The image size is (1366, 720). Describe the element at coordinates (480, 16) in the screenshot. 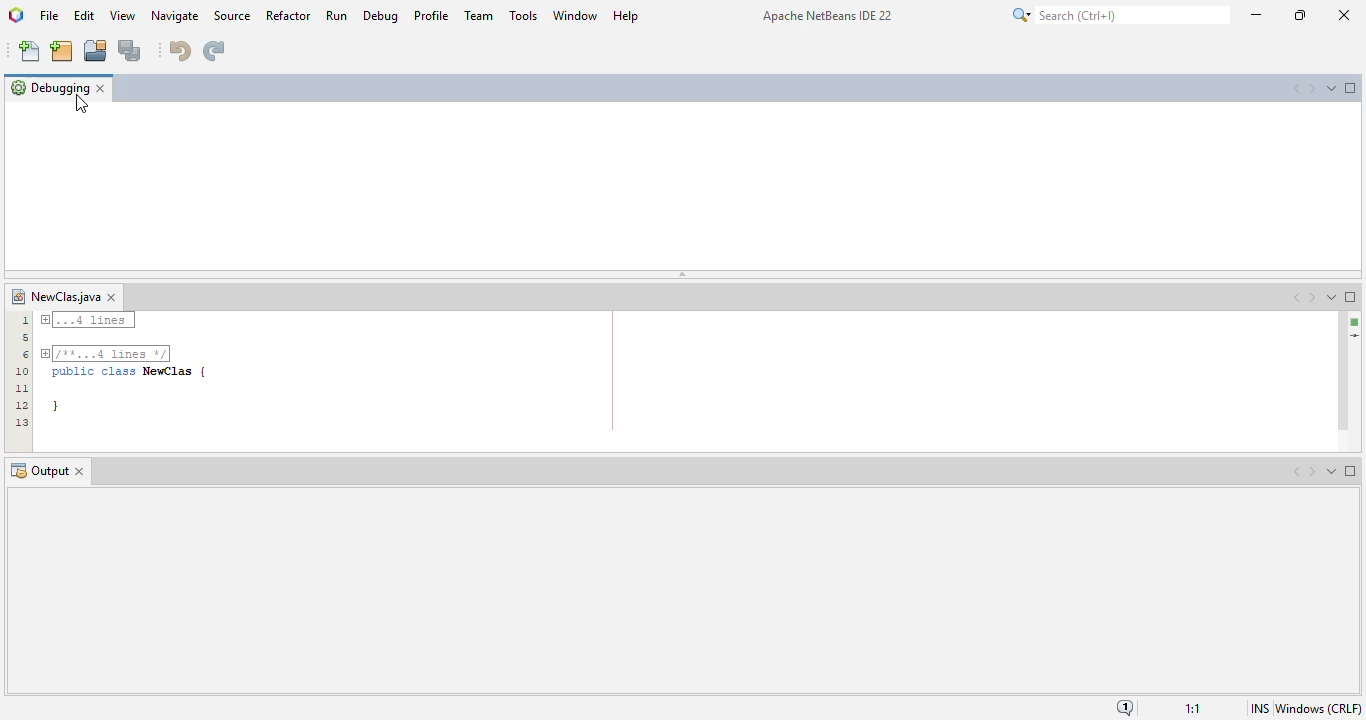

I see `team` at that location.